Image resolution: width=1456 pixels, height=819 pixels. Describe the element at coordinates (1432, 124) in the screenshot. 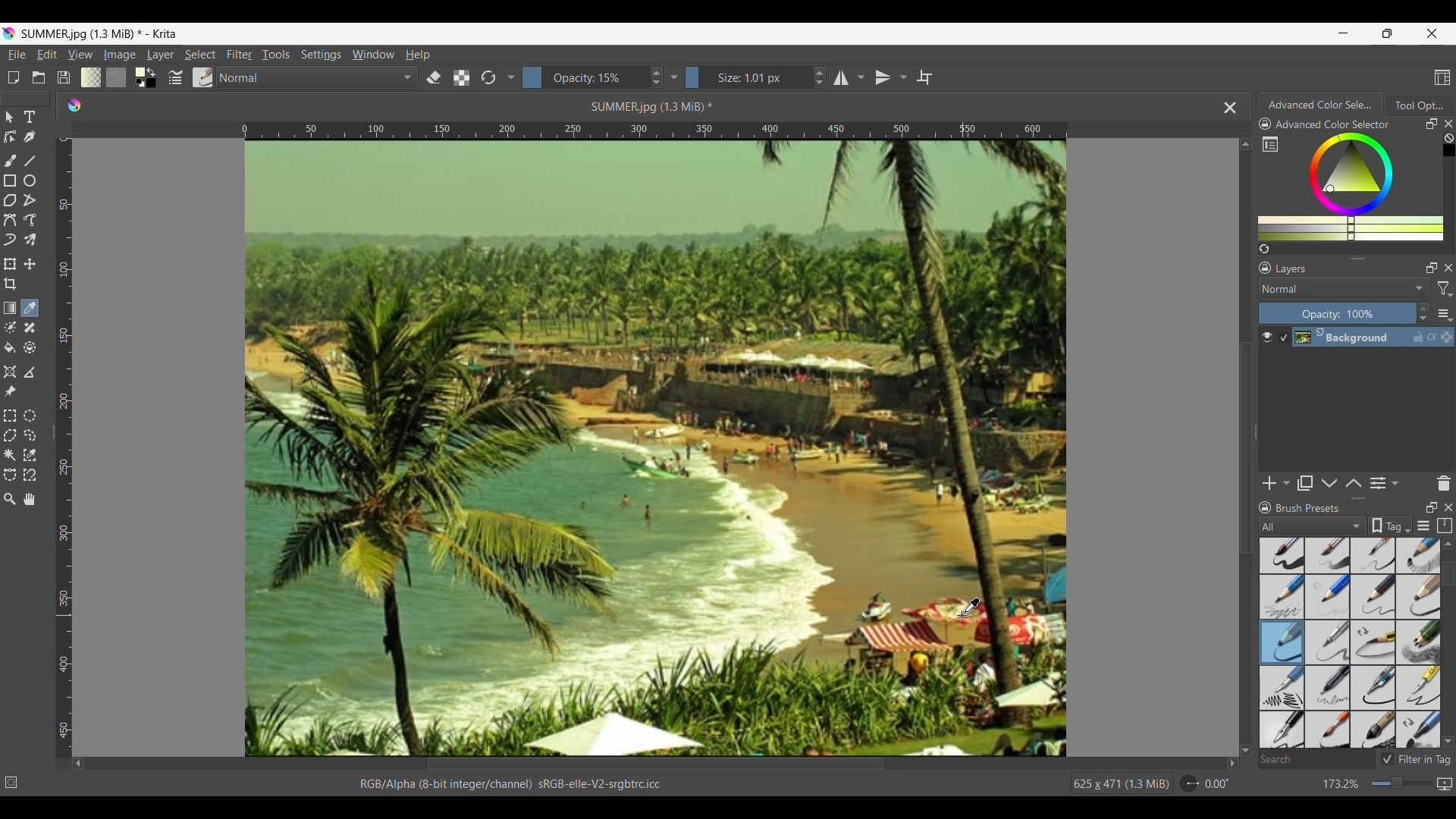

I see `Float docker` at that location.